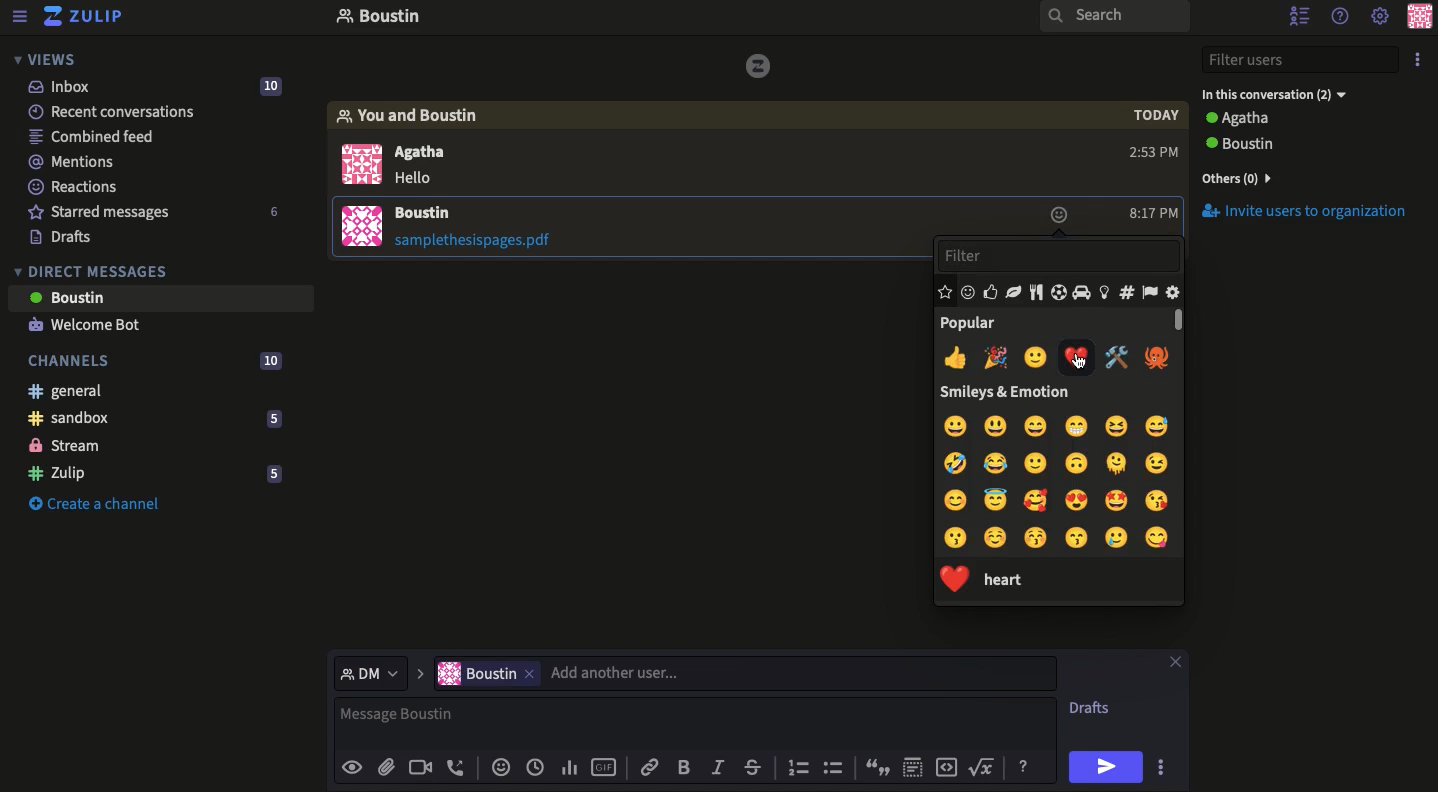  I want to click on Reaction, so click(500, 766).